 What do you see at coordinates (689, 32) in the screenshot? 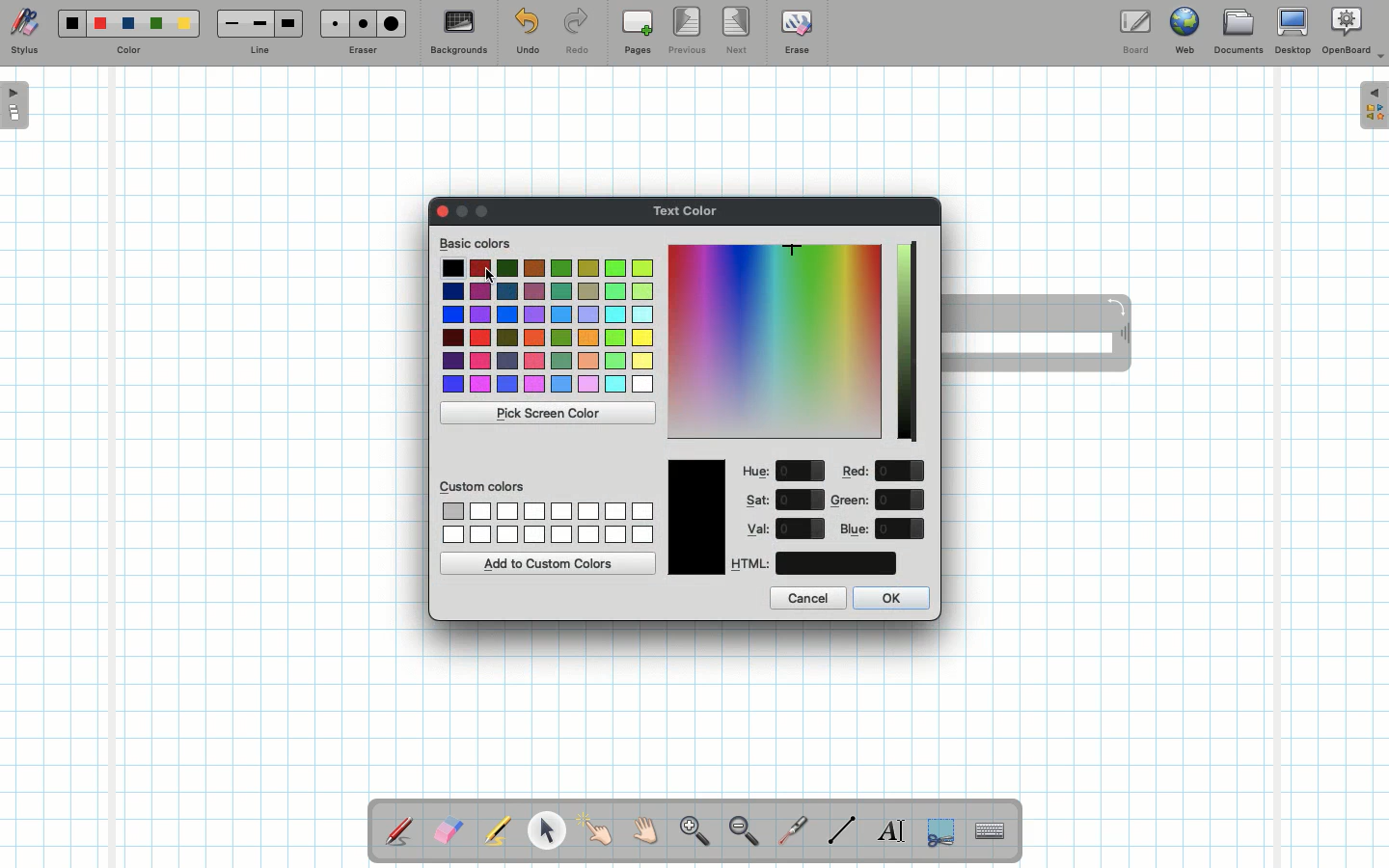
I see `Previous` at bounding box center [689, 32].